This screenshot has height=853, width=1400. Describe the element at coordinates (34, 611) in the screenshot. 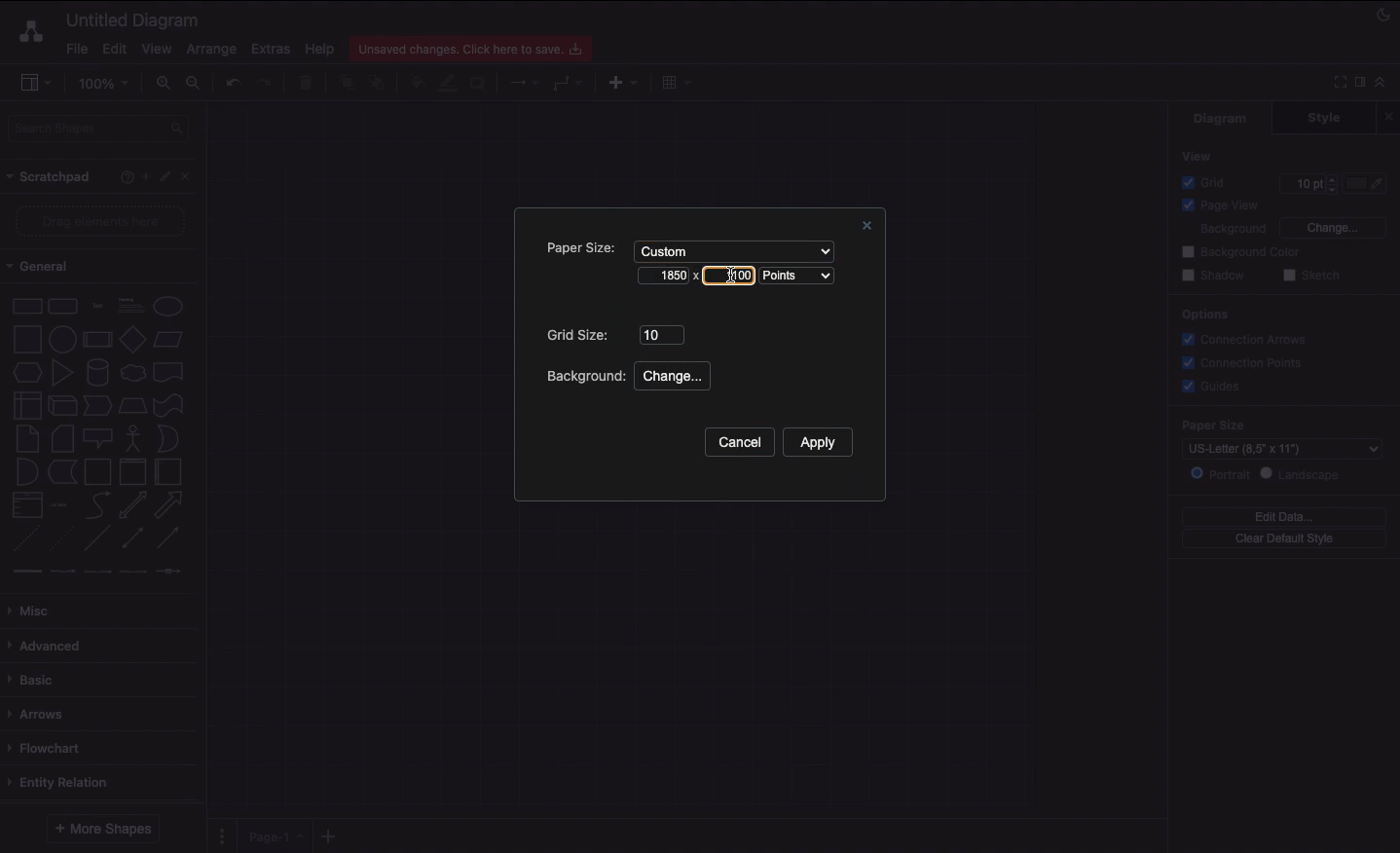

I see `Misc` at that location.